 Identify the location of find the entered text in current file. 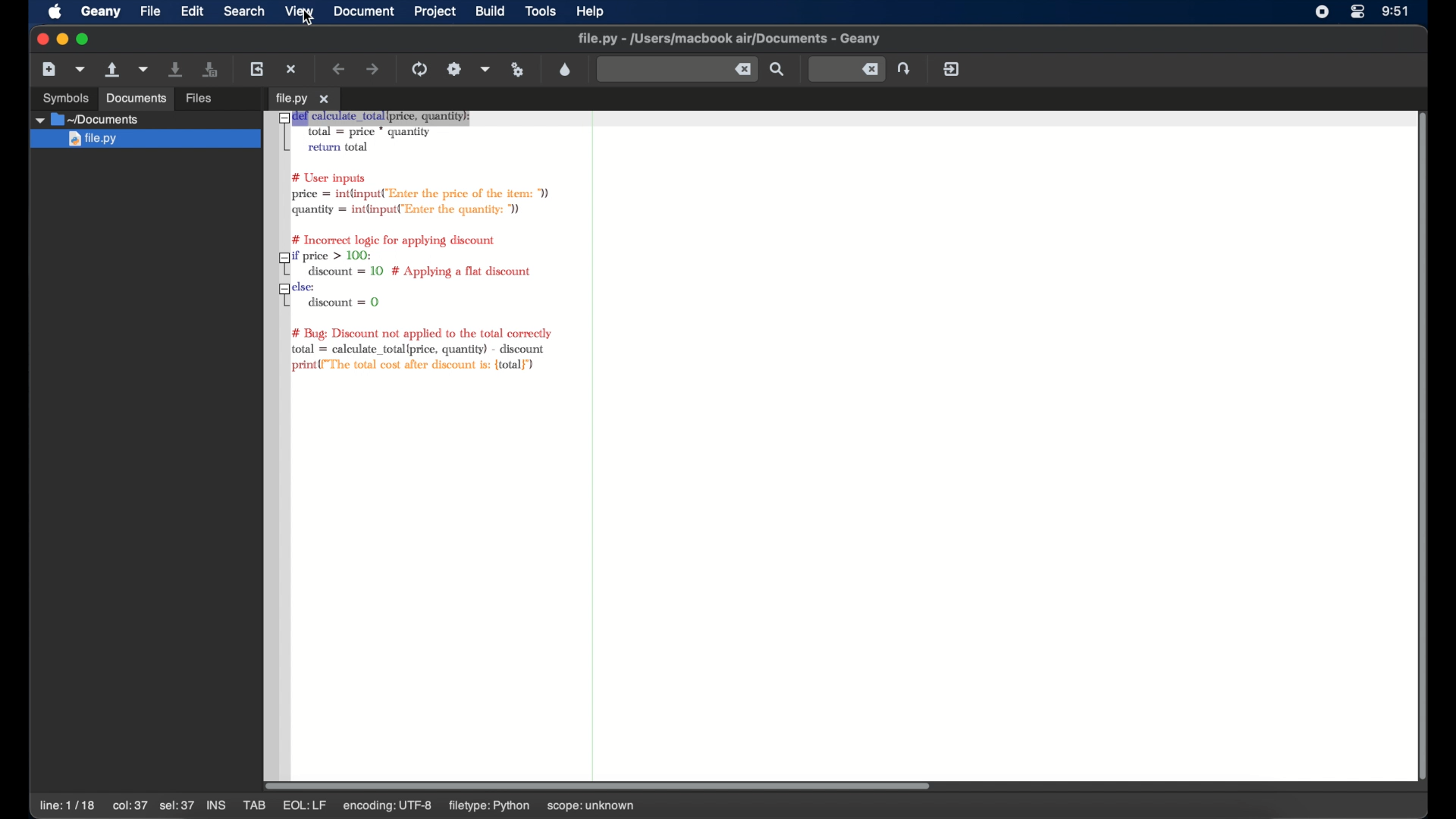
(676, 70).